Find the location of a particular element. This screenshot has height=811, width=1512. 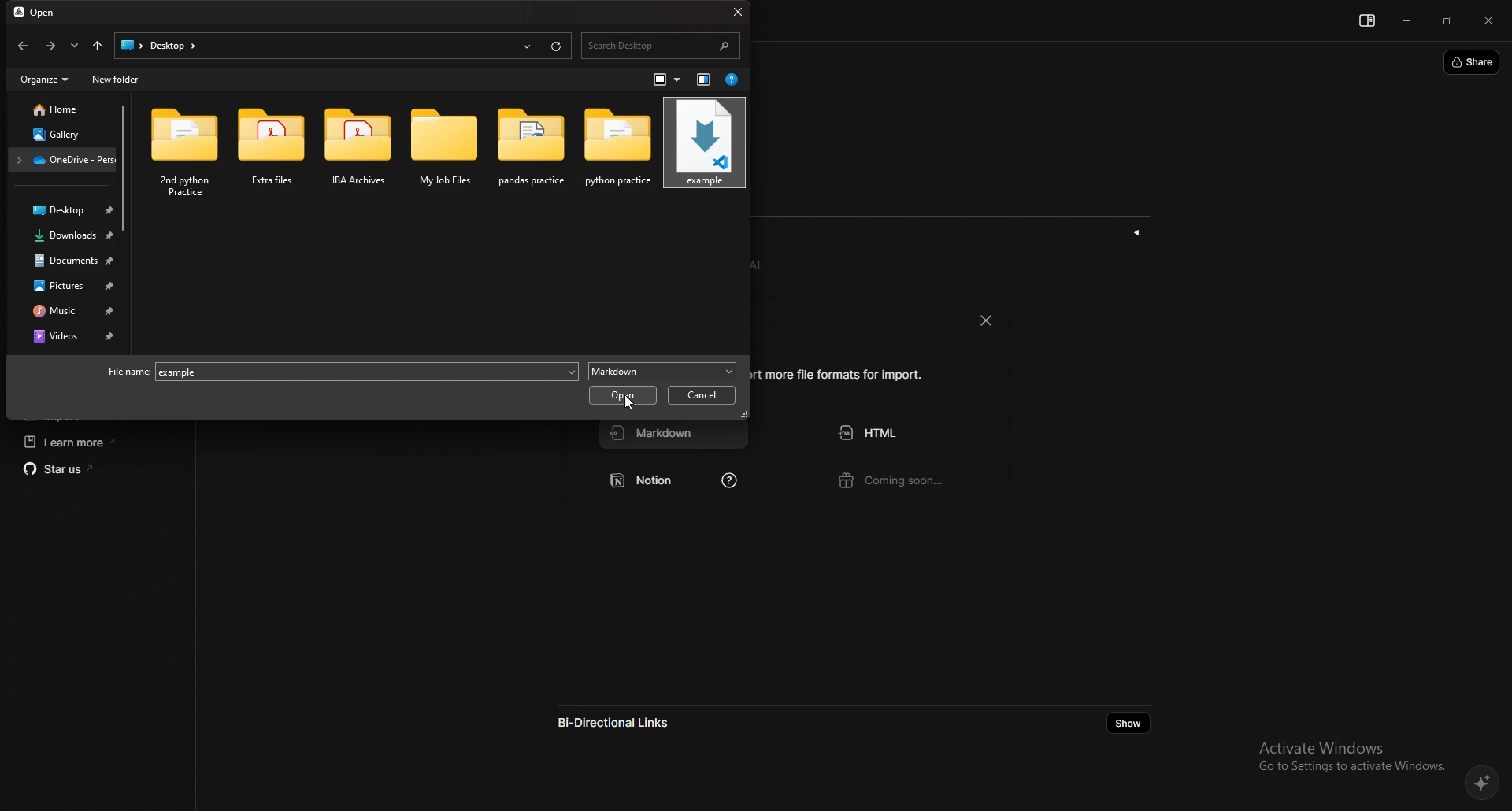

refresh is located at coordinates (558, 46).